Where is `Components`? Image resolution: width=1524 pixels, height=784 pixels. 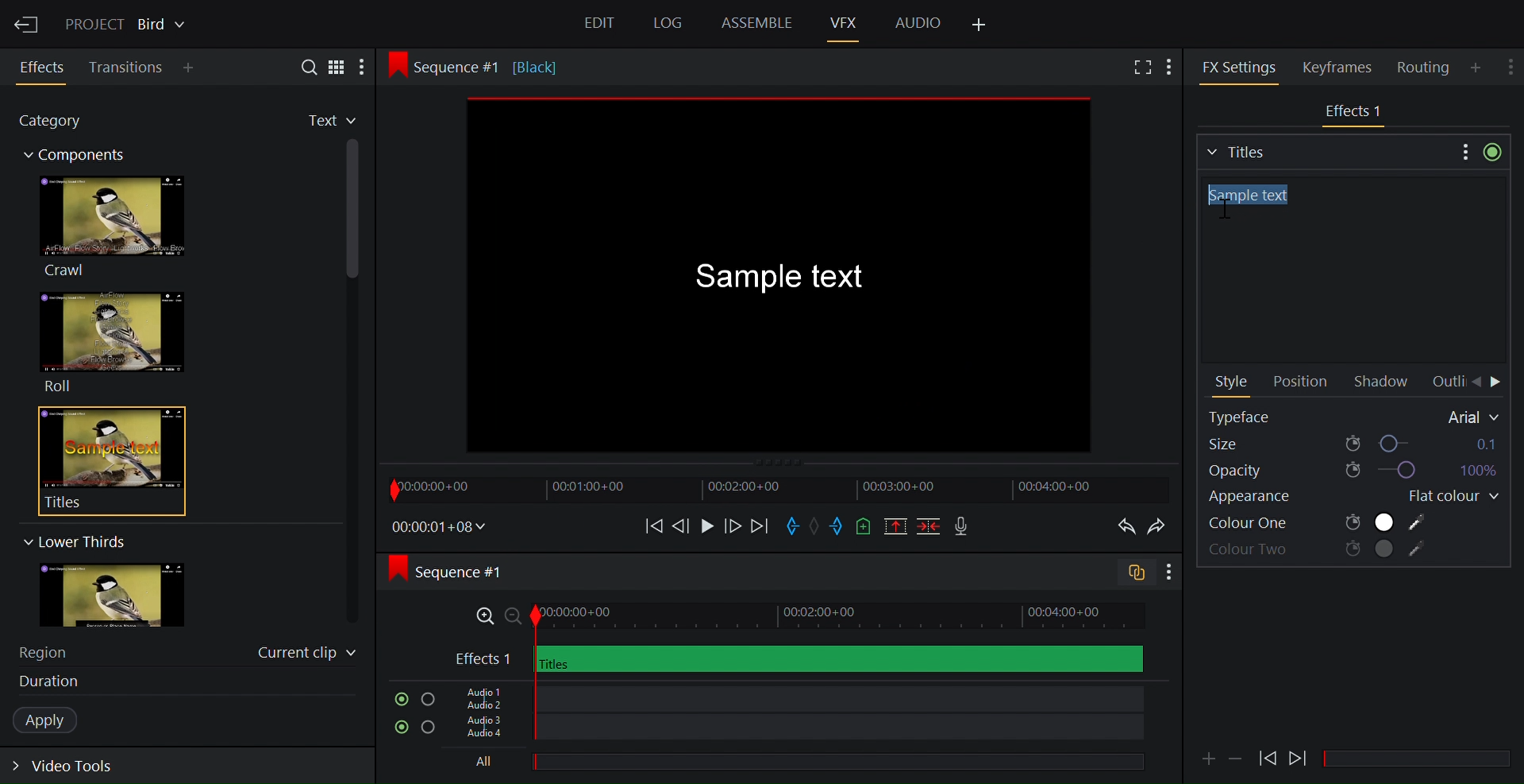
Components is located at coordinates (82, 157).